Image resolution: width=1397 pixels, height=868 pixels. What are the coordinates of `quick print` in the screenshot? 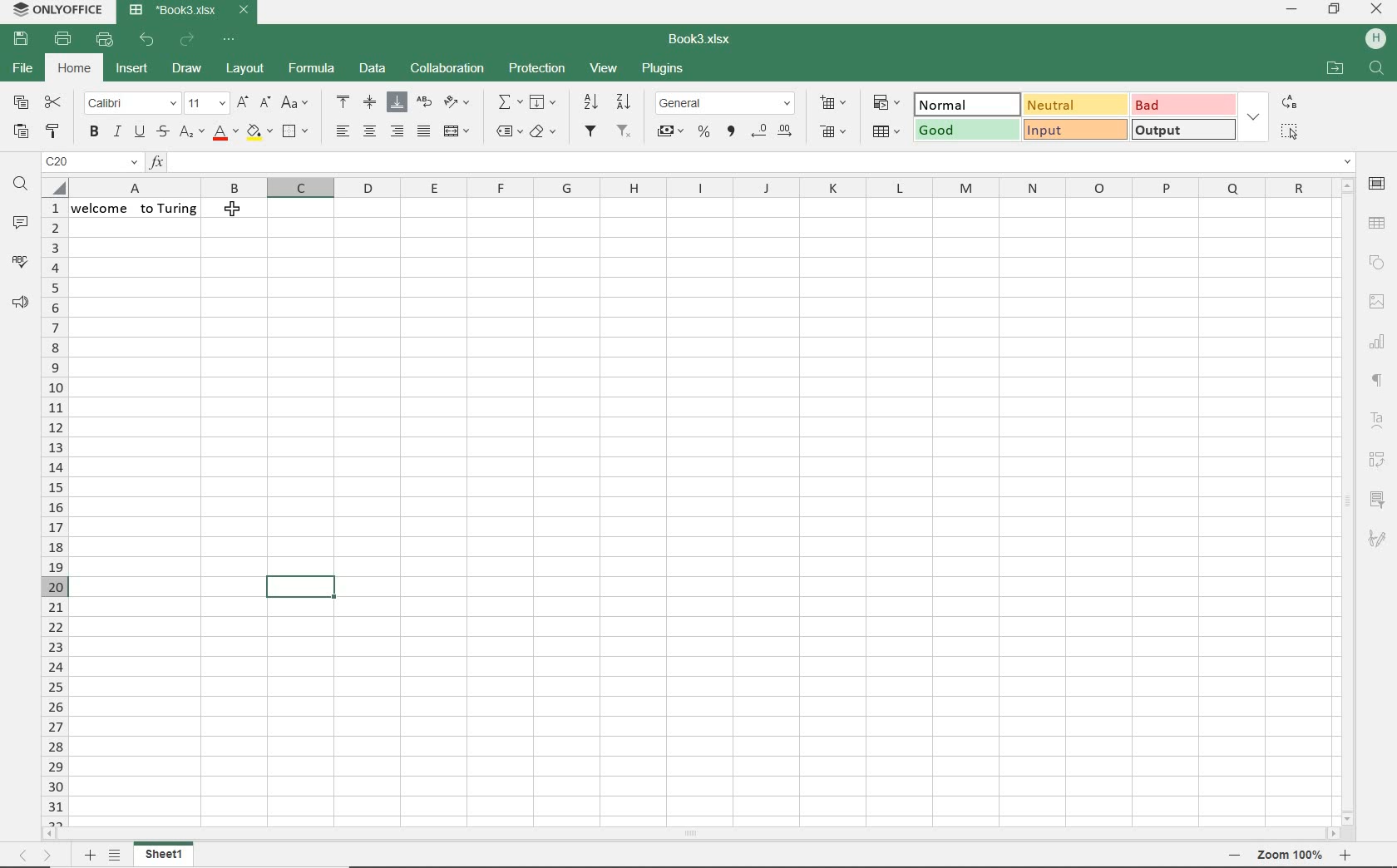 It's located at (106, 40).